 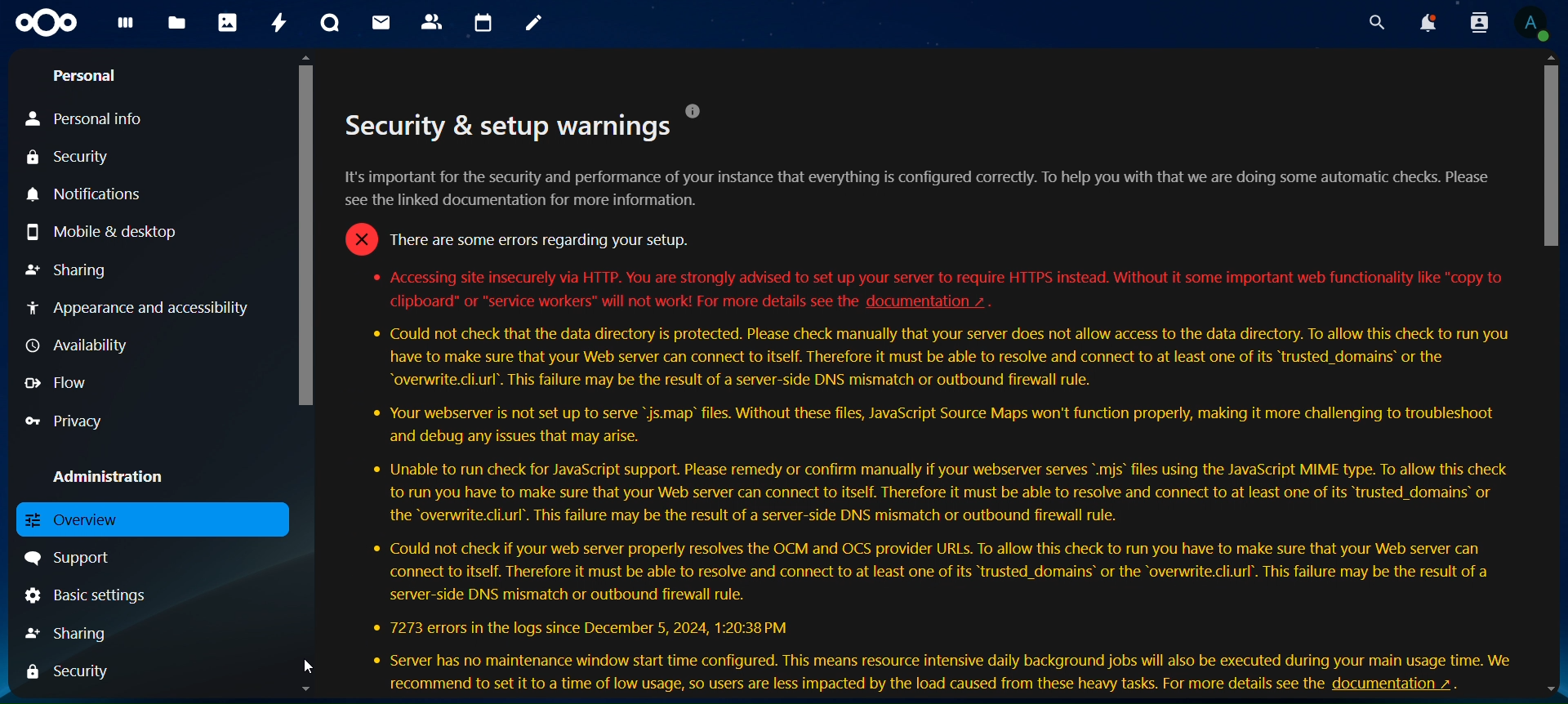 I want to click on basic settings, so click(x=91, y=595).